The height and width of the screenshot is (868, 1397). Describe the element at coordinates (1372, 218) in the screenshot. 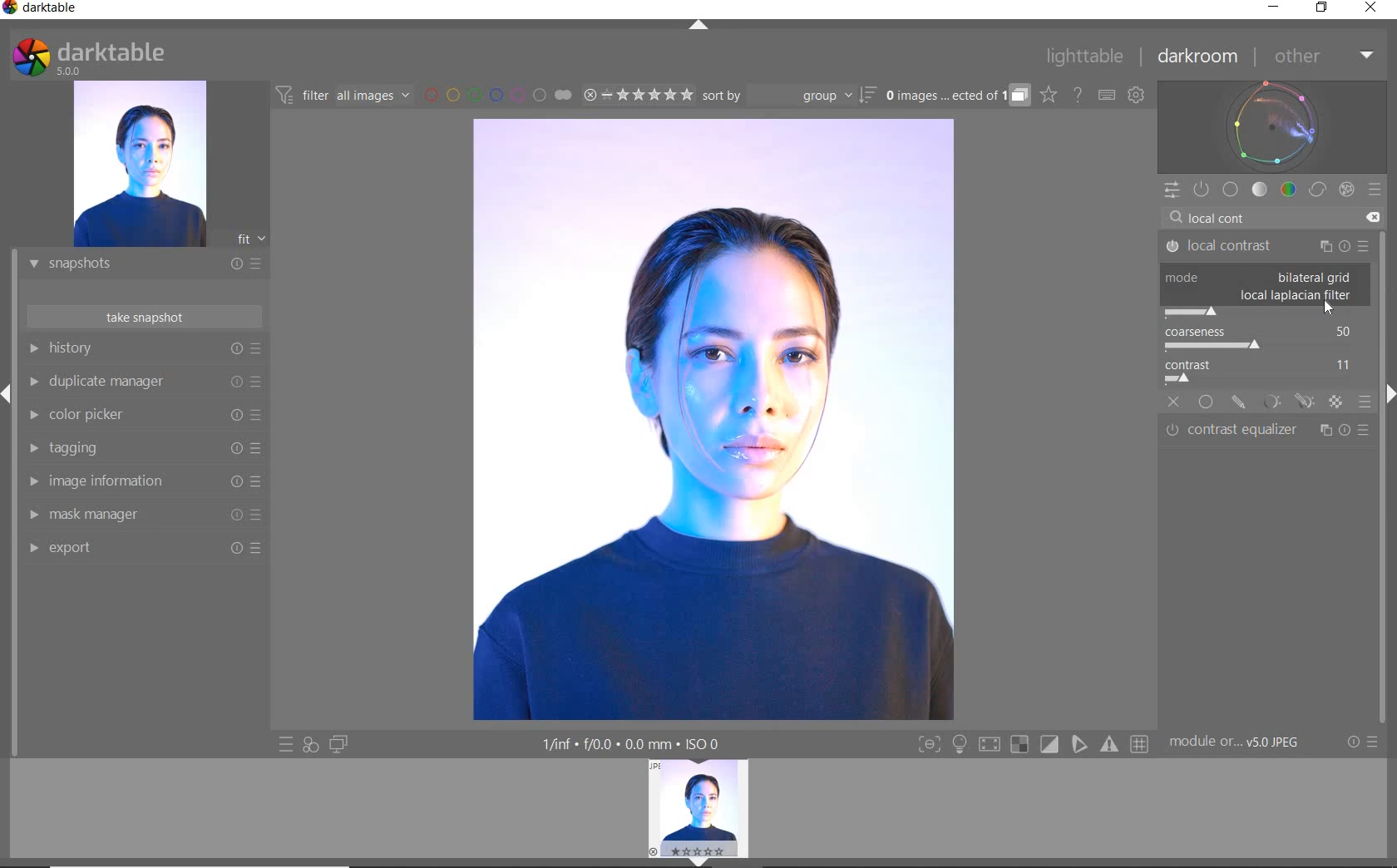

I see `Clear` at that location.